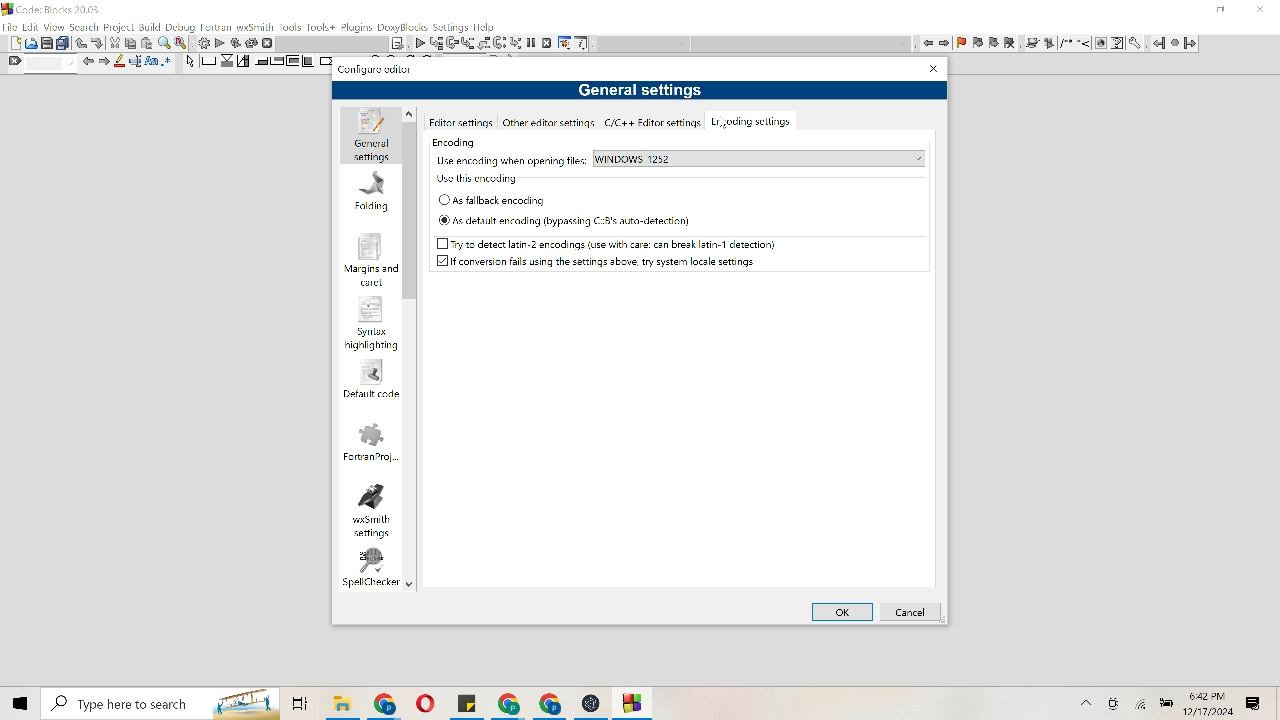 The width and height of the screenshot is (1280, 720). Describe the element at coordinates (548, 43) in the screenshot. I see `Cancel` at that location.